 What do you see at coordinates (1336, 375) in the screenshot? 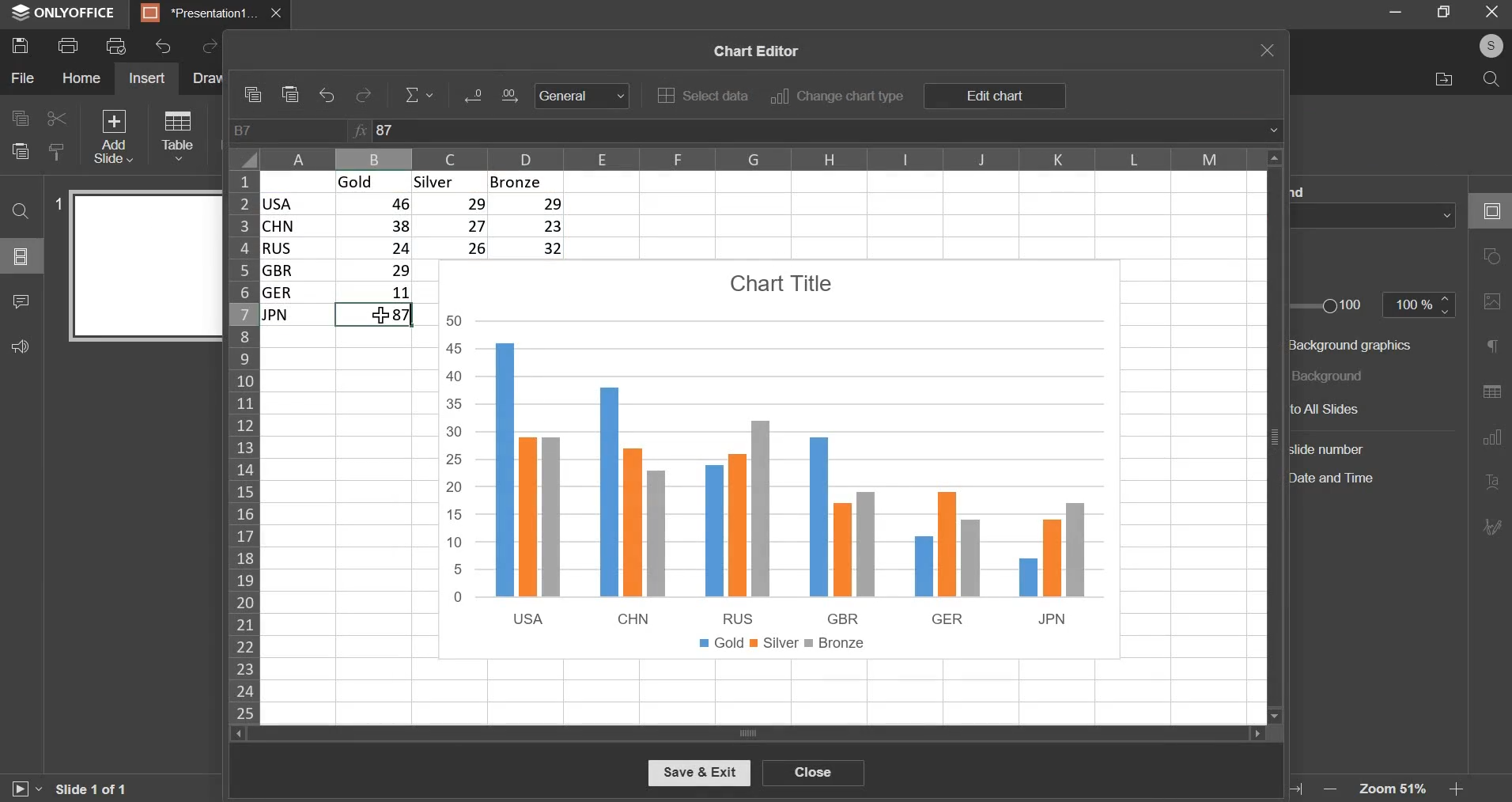
I see `background` at bounding box center [1336, 375].